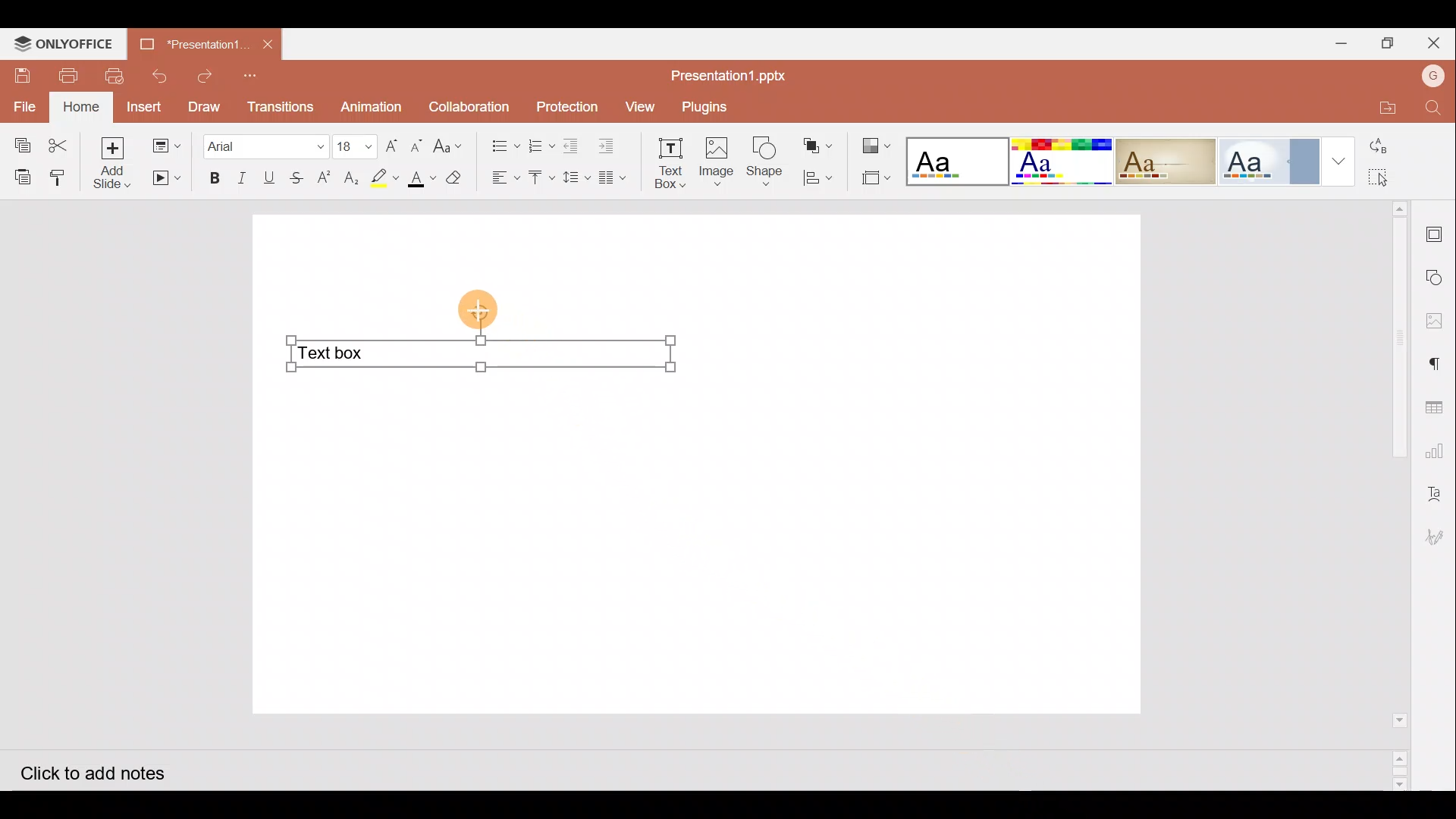 This screenshot has height=819, width=1456. What do you see at coordinates (372, 107) in the screenshot?
I see `Animation` at bounding box center [372, 107].